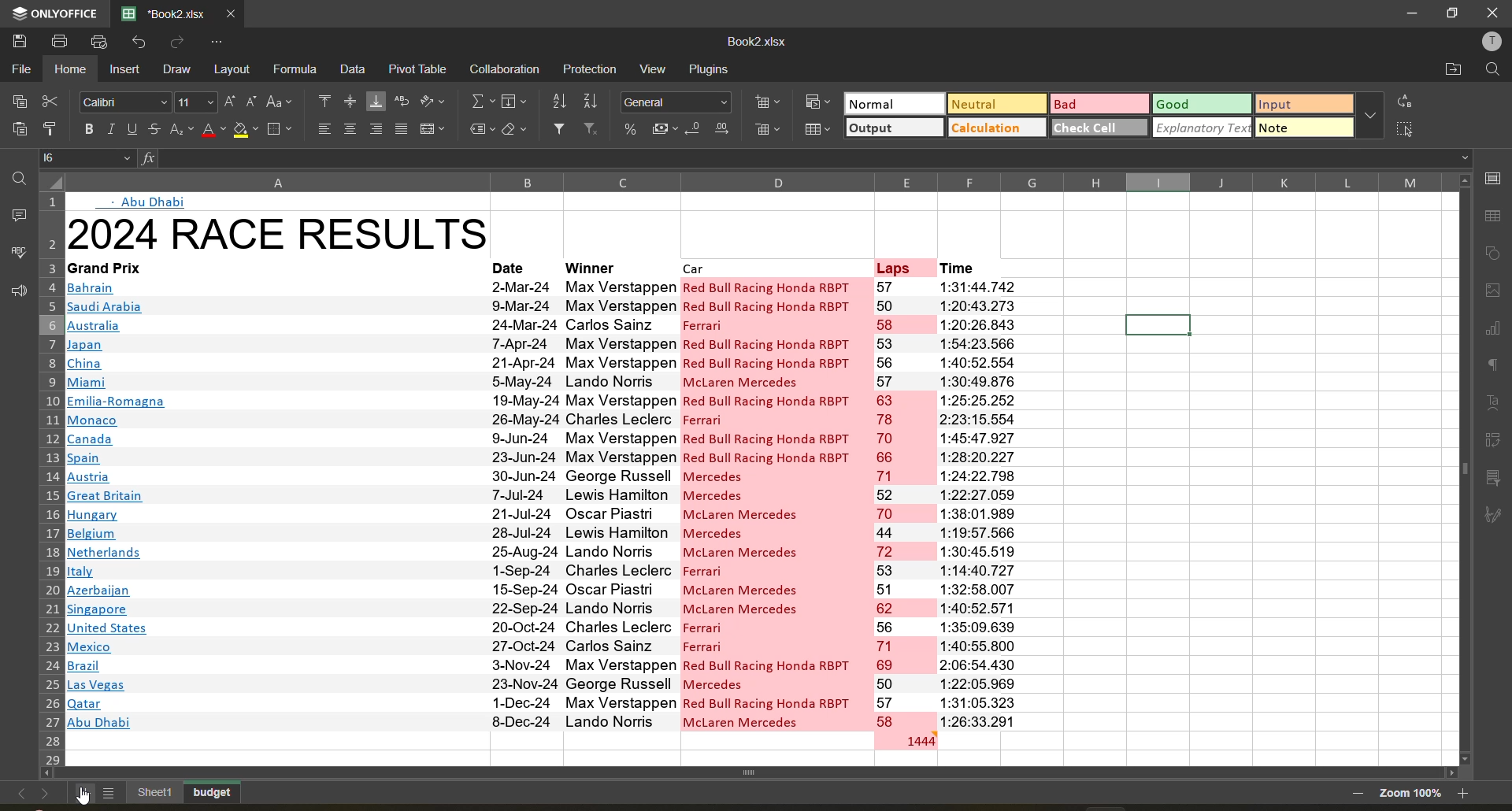  Describe the element at coordinates (91, 130) in the screenshot. I see `bold` at that location.